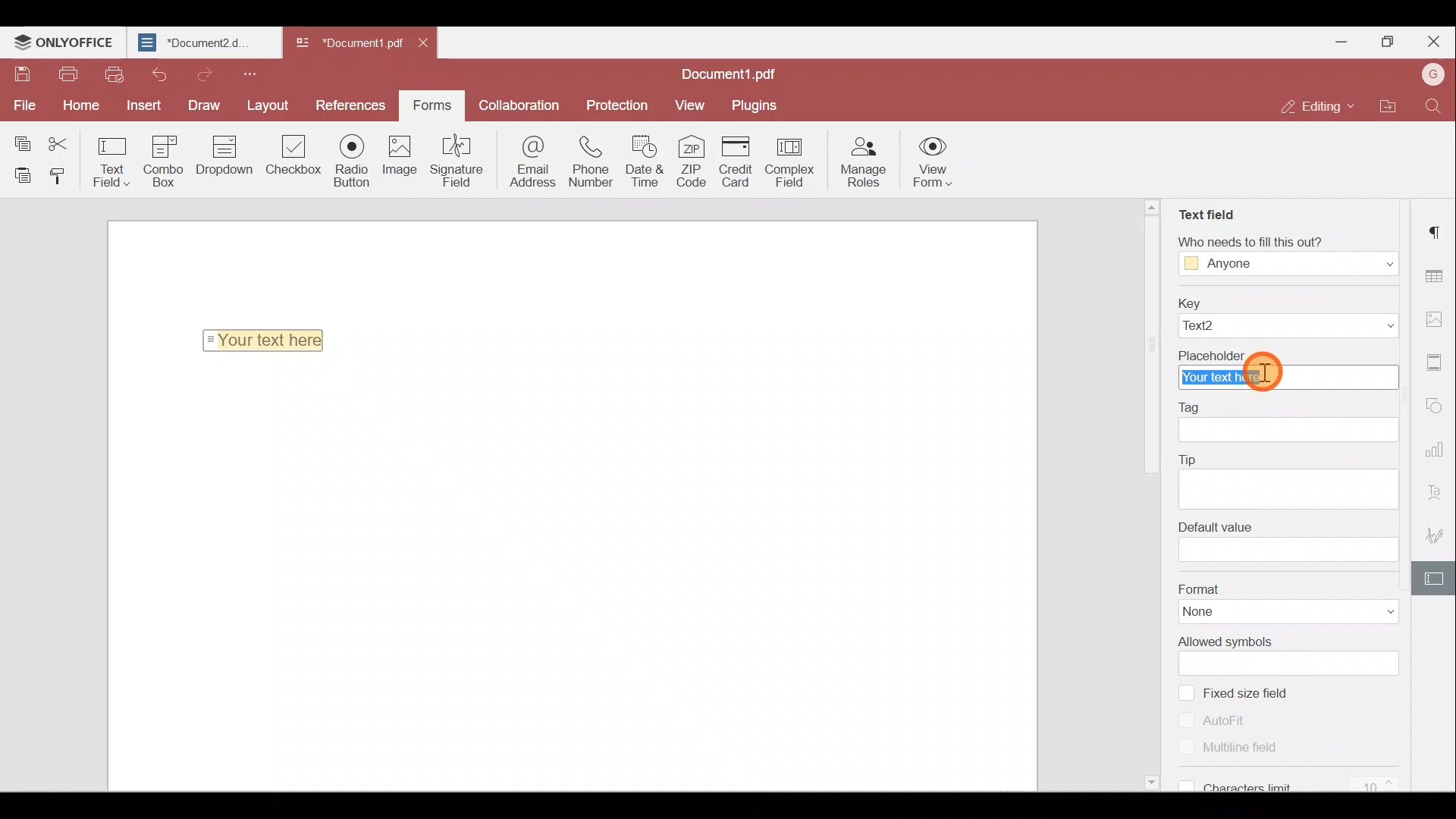  I want to click on Account name, so click(1432, 73).